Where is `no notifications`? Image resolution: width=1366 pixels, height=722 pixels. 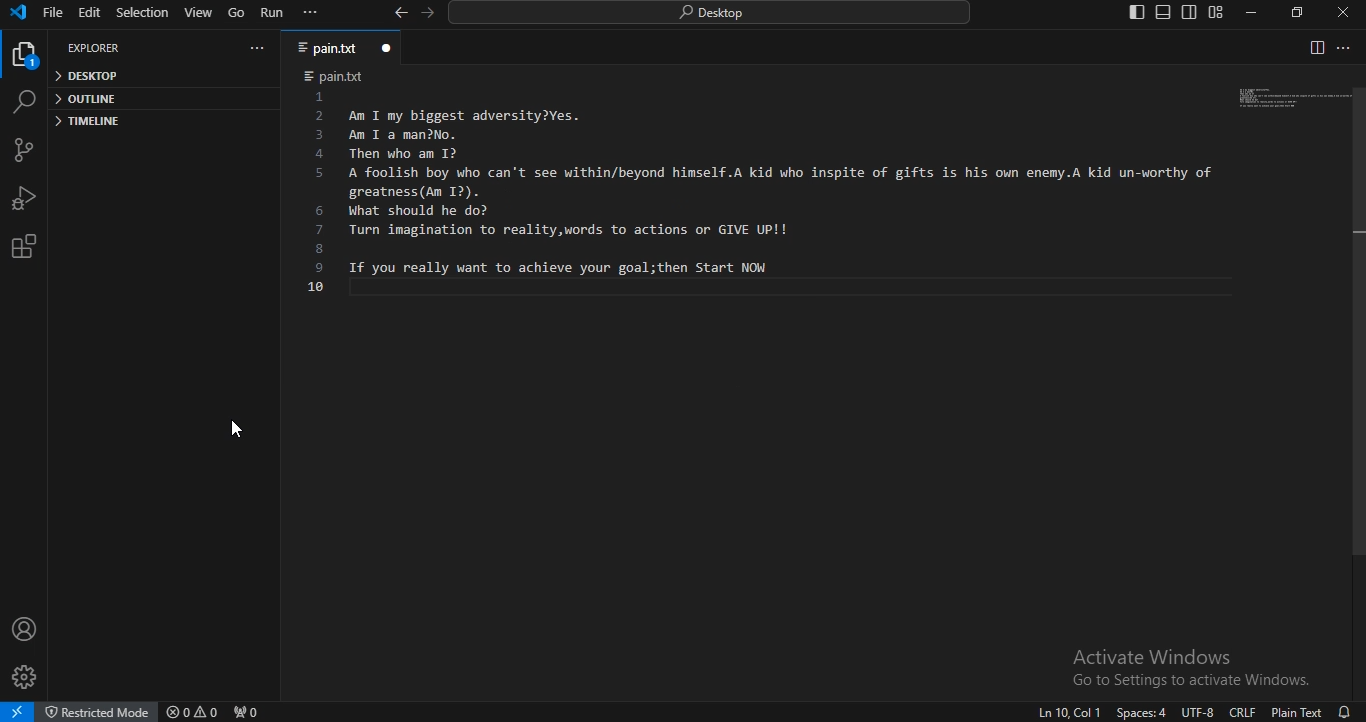 no notifications is located at coordinates (1346, 712).